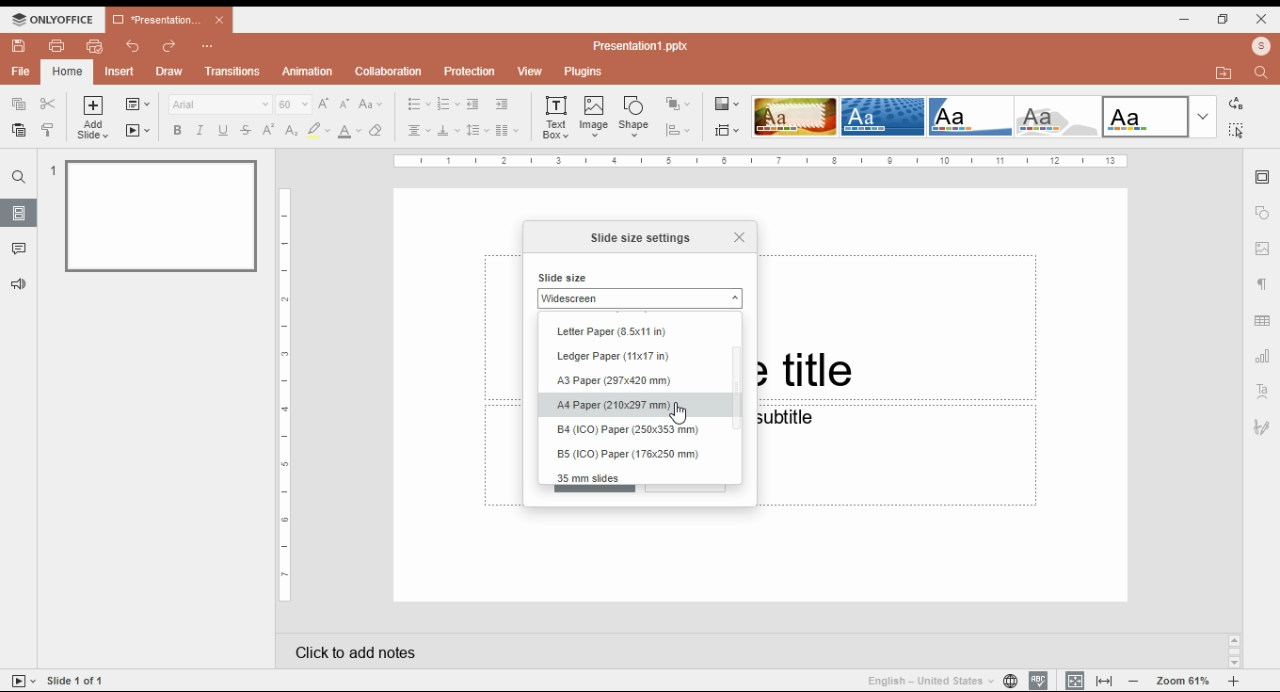 The height and width of the screenshot is (692, 1280). I want to click on start slideshow, so click(138, 131).